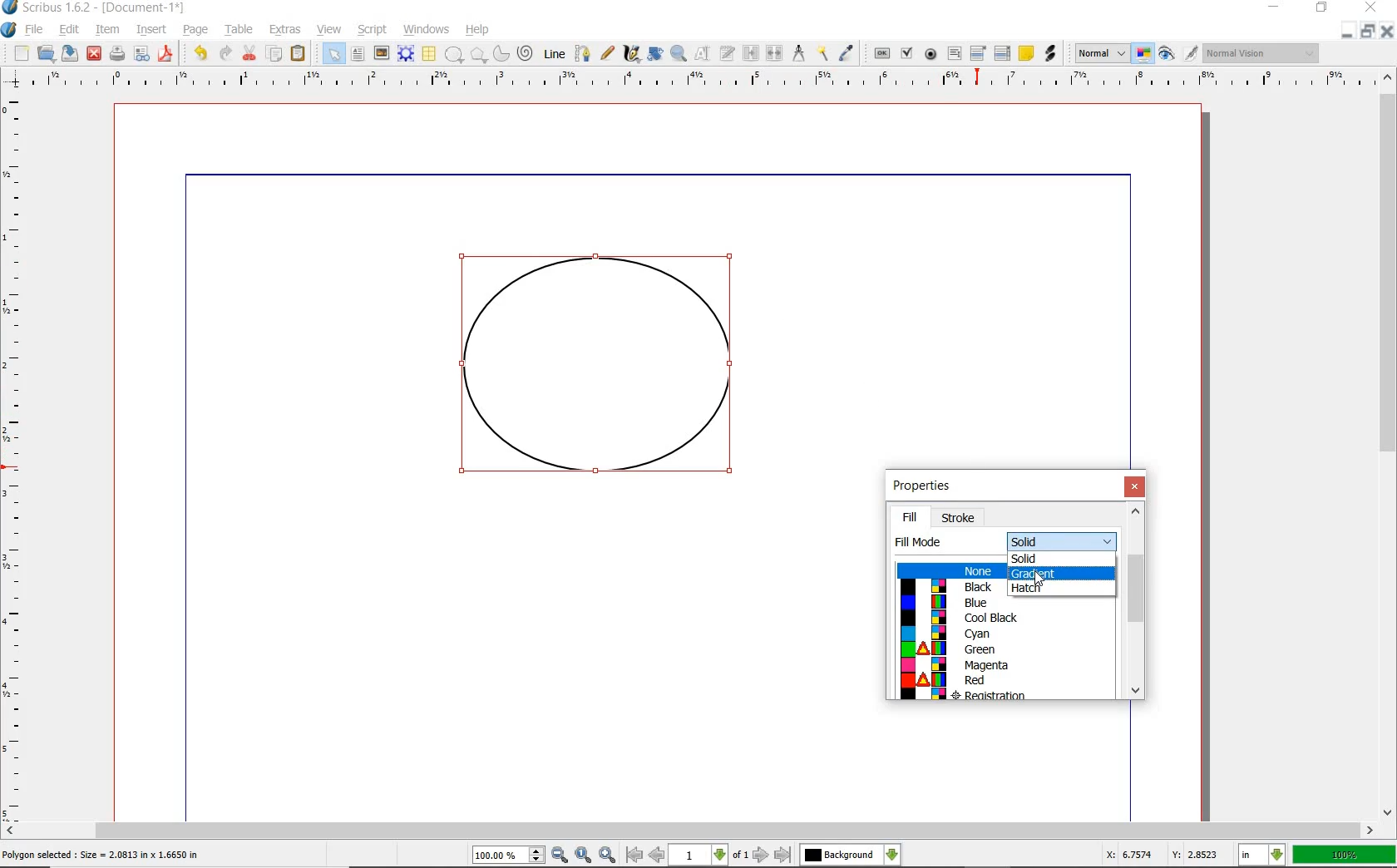 The width and height of the screenshot is (1397, 868). I want to click on VIEW, so click(329, 28).